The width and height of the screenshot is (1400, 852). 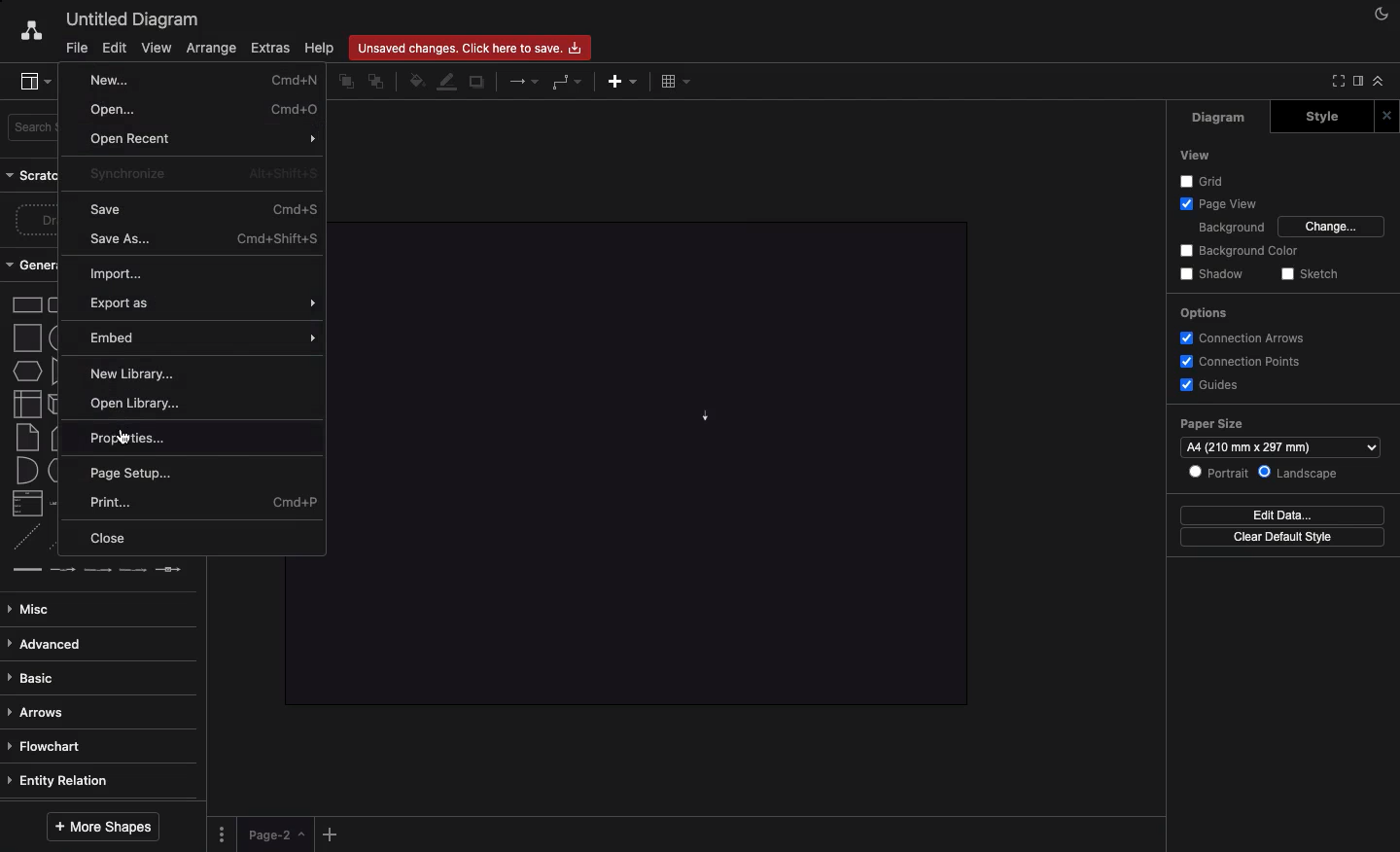 I want to click on Full screen, so click(x=1334, y=82).